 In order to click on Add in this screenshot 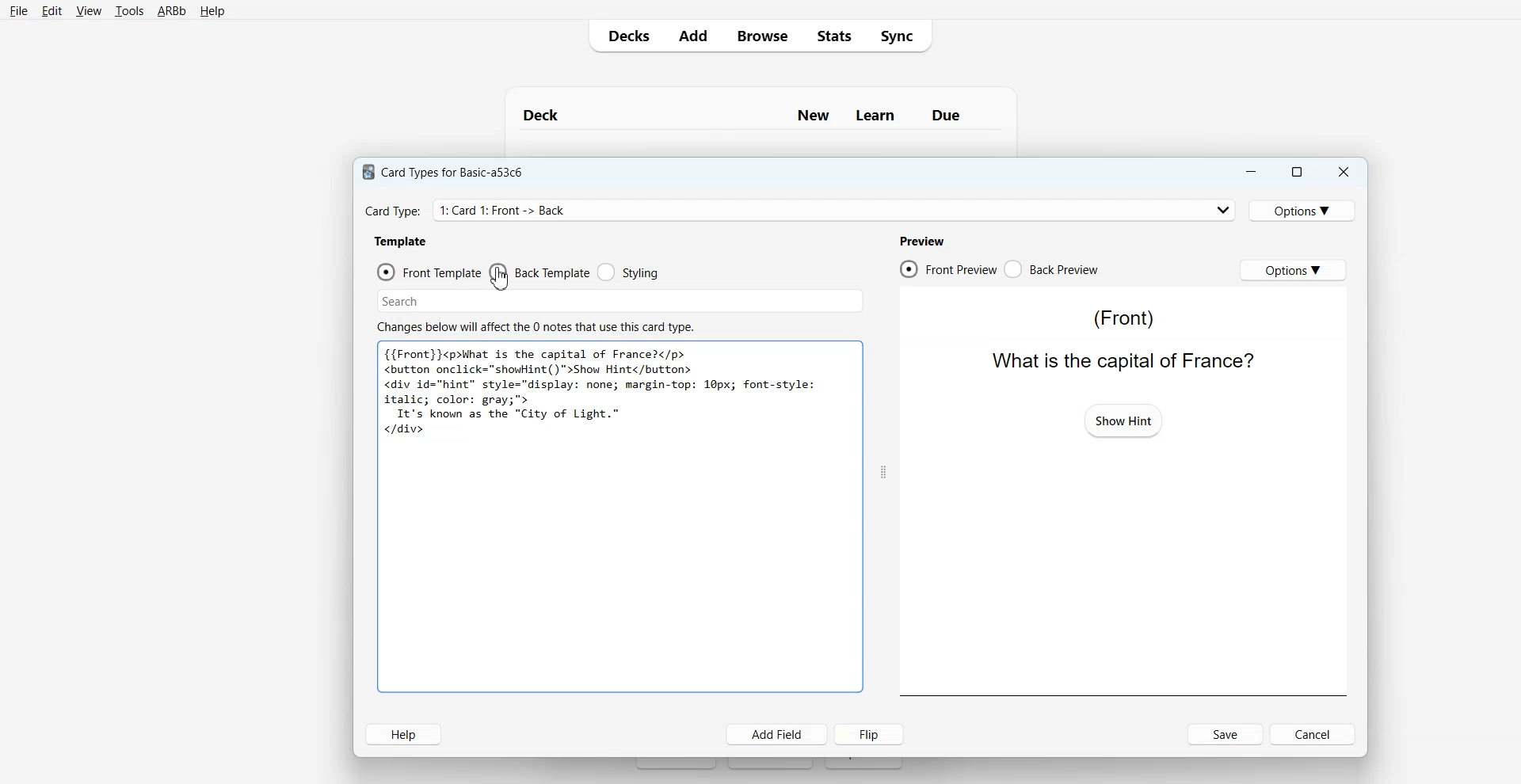, I will do `click(692, 36)`.